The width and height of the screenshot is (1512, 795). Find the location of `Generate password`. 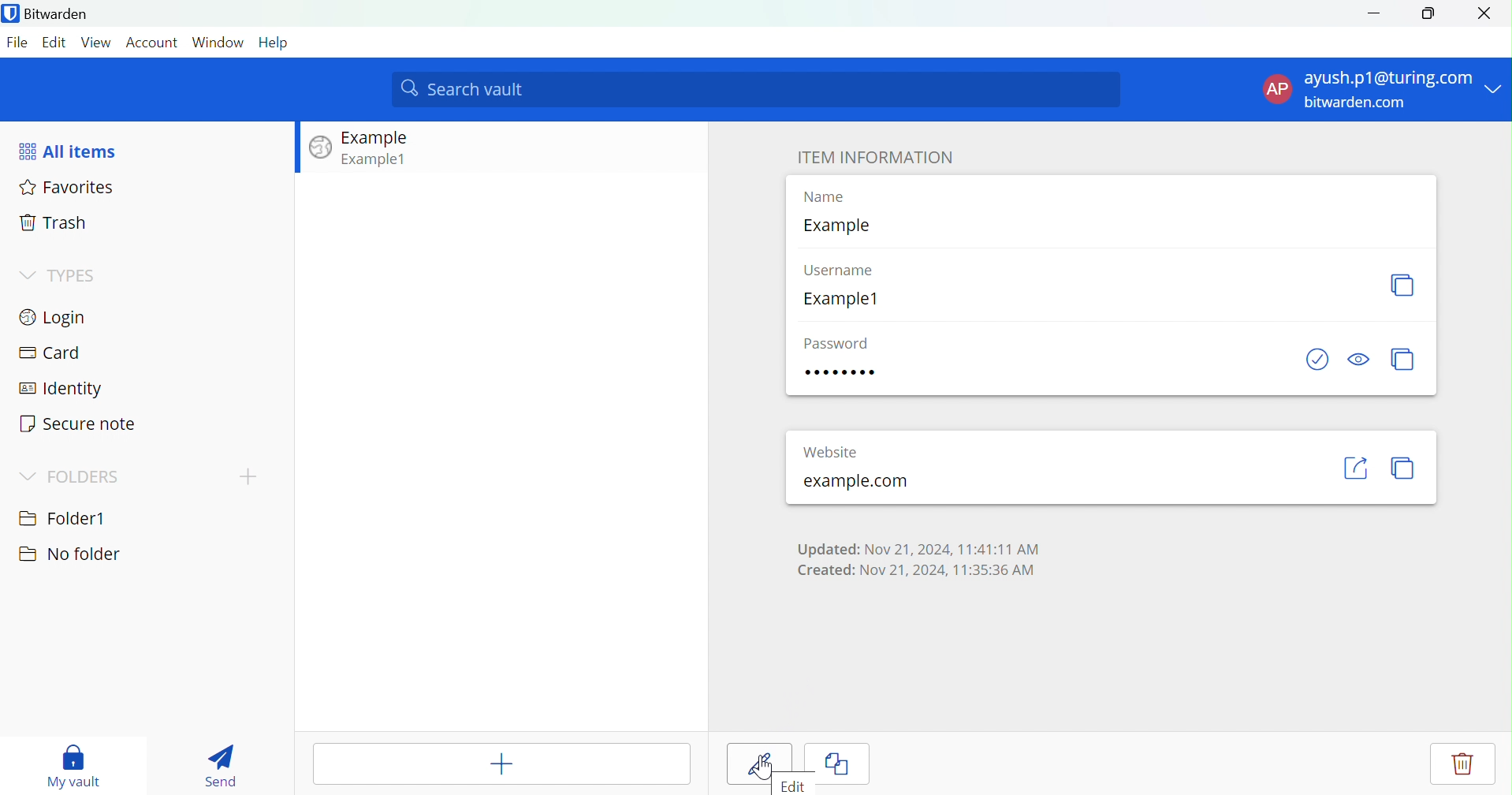

Generate password is located at coordinates (1404, 359).